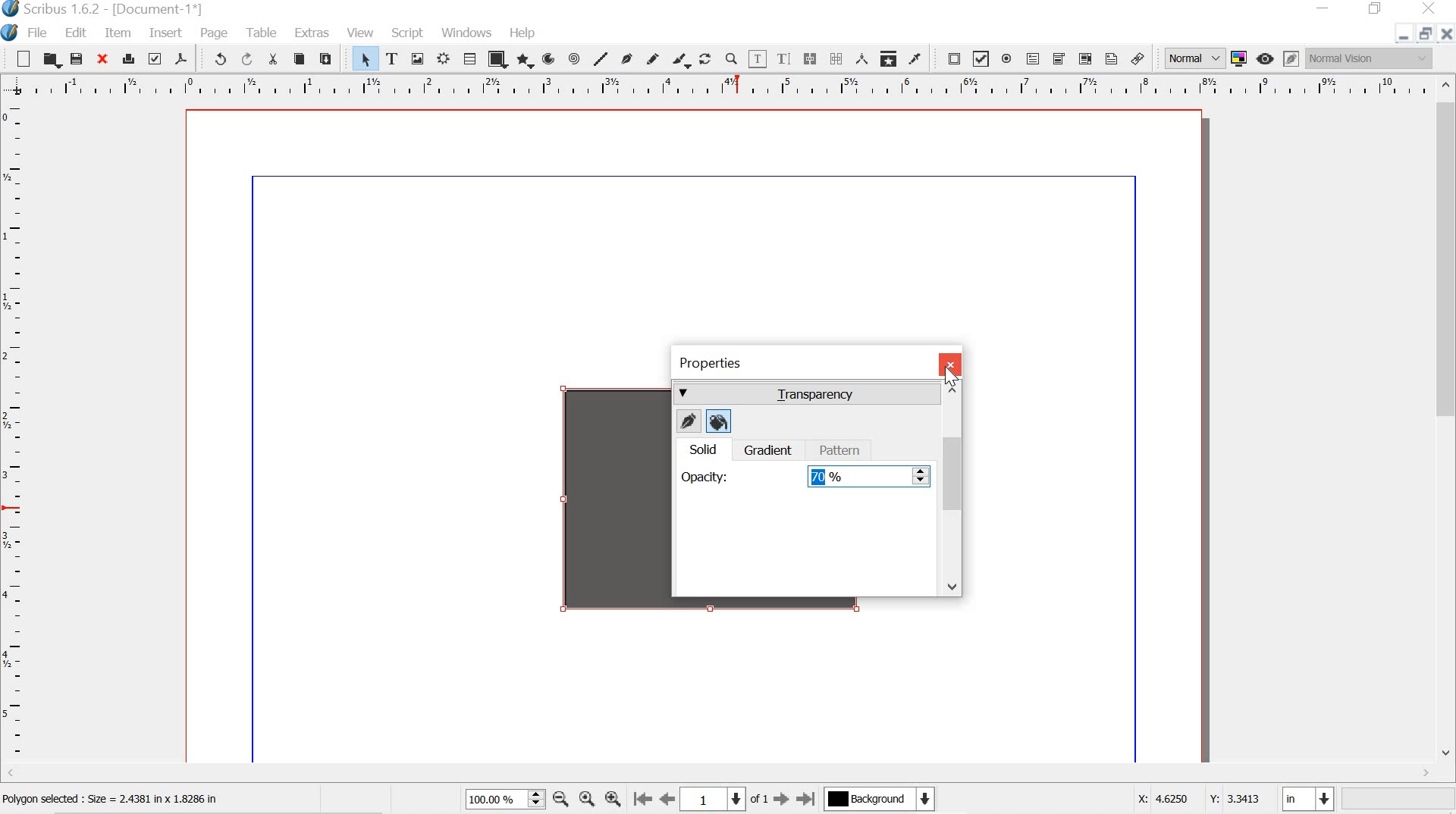  Describe the element at coordinates (127, 58) in the screenshot. I see `print` at that location.